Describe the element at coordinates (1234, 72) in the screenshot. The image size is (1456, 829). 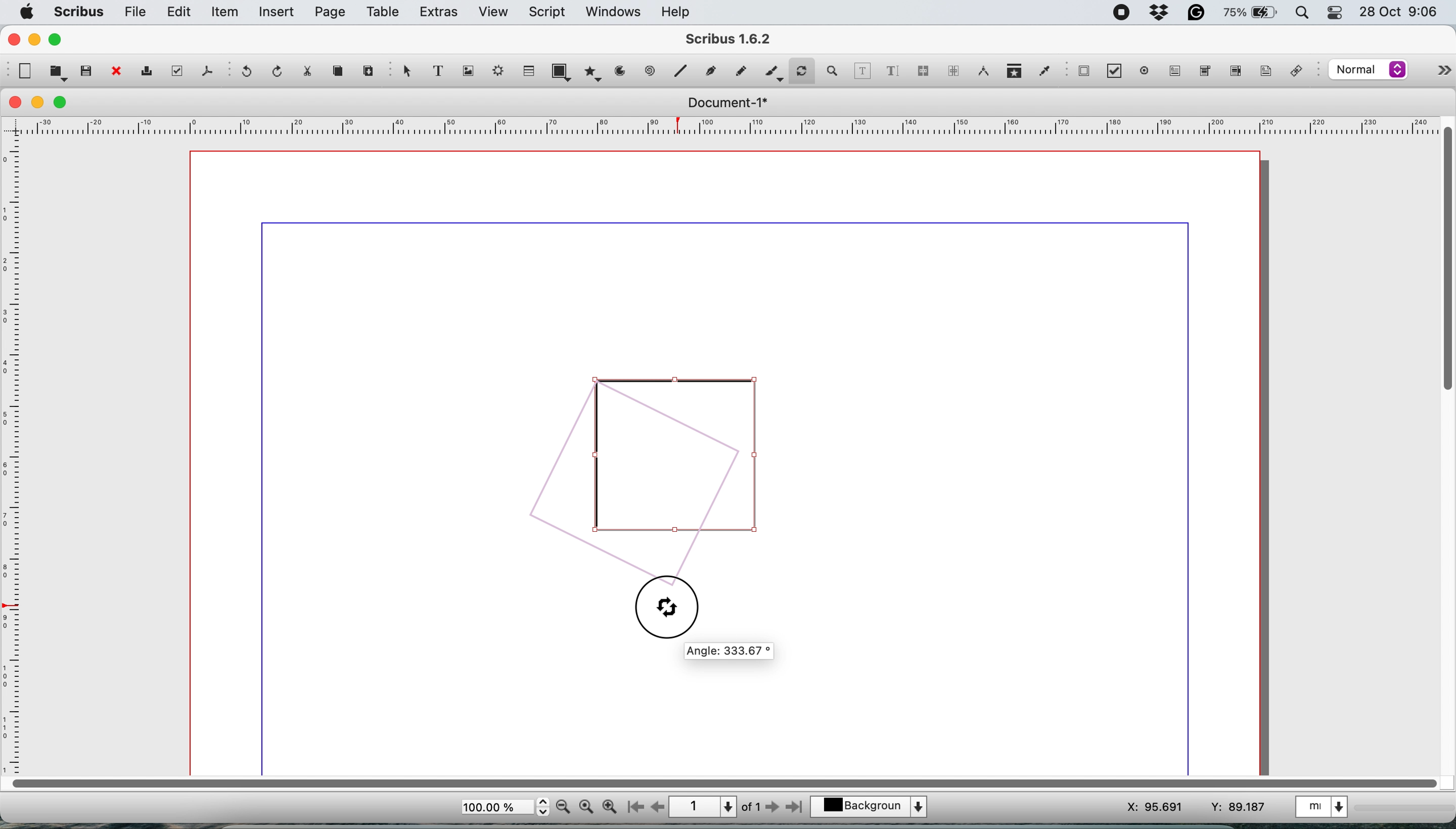
I see `pdf list box` at that location.